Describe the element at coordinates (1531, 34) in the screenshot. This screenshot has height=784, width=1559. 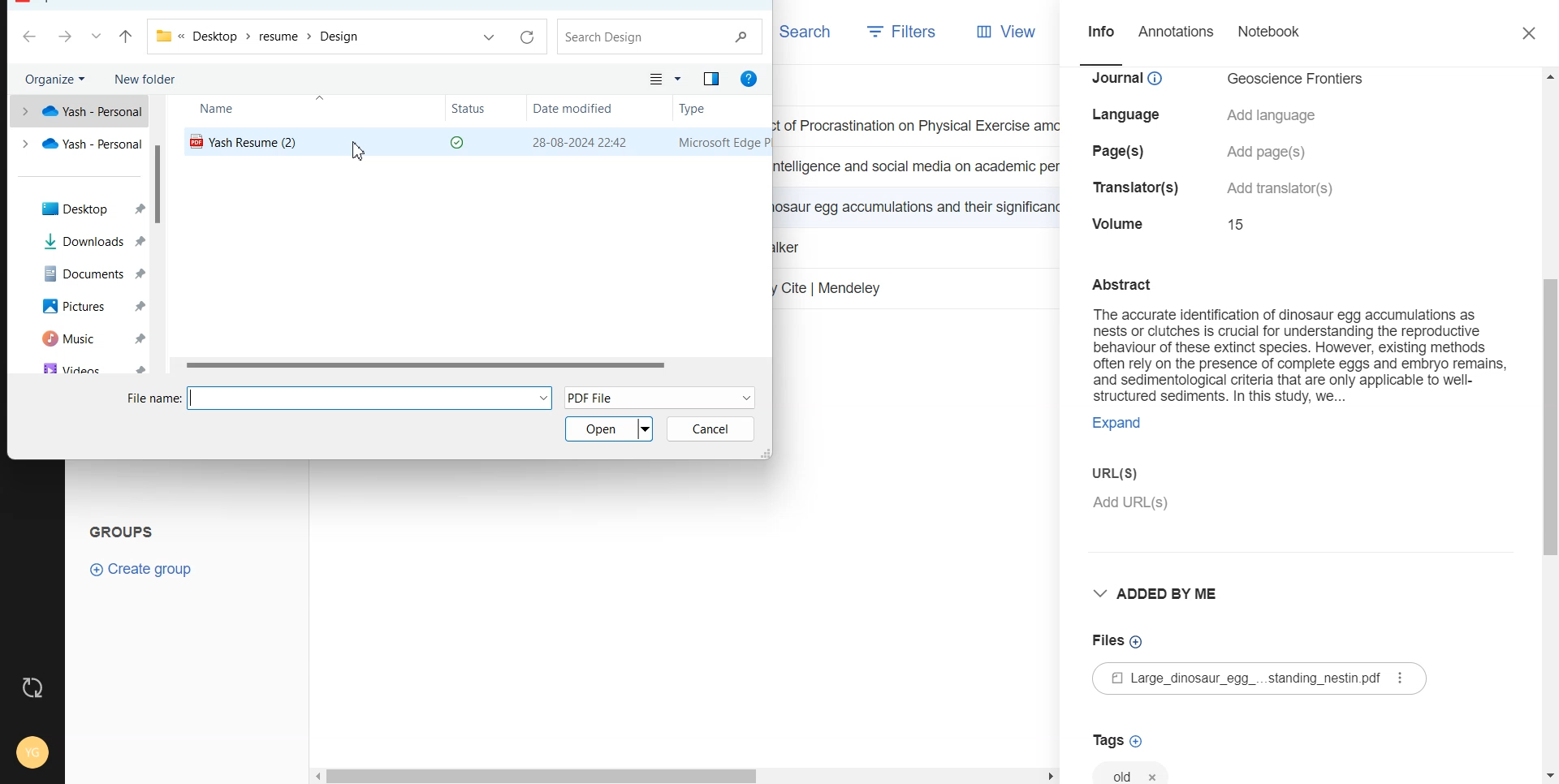
I see `Close` at that location.